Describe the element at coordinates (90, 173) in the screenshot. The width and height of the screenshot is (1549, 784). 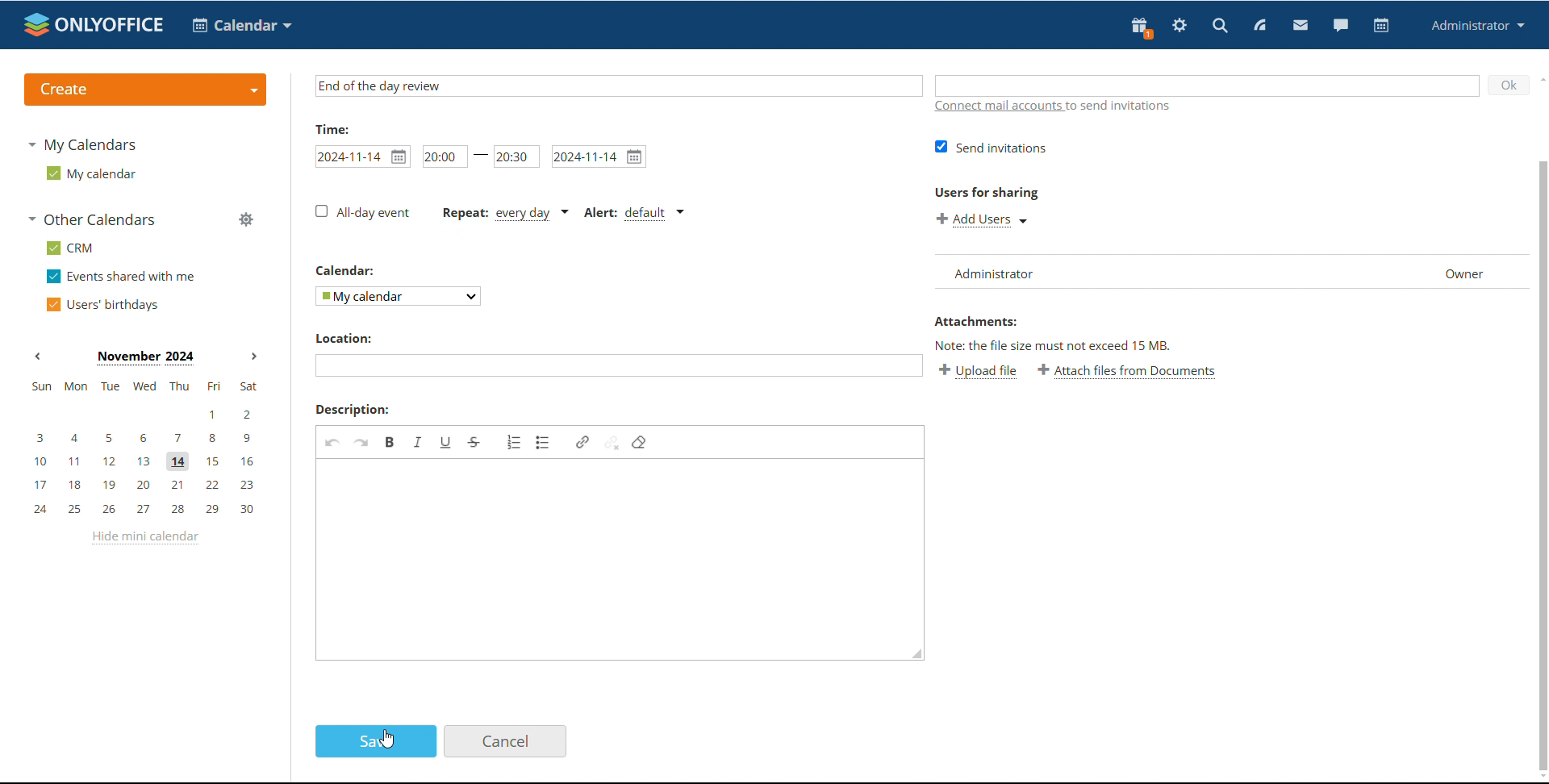
I see `my calendar` at that location.